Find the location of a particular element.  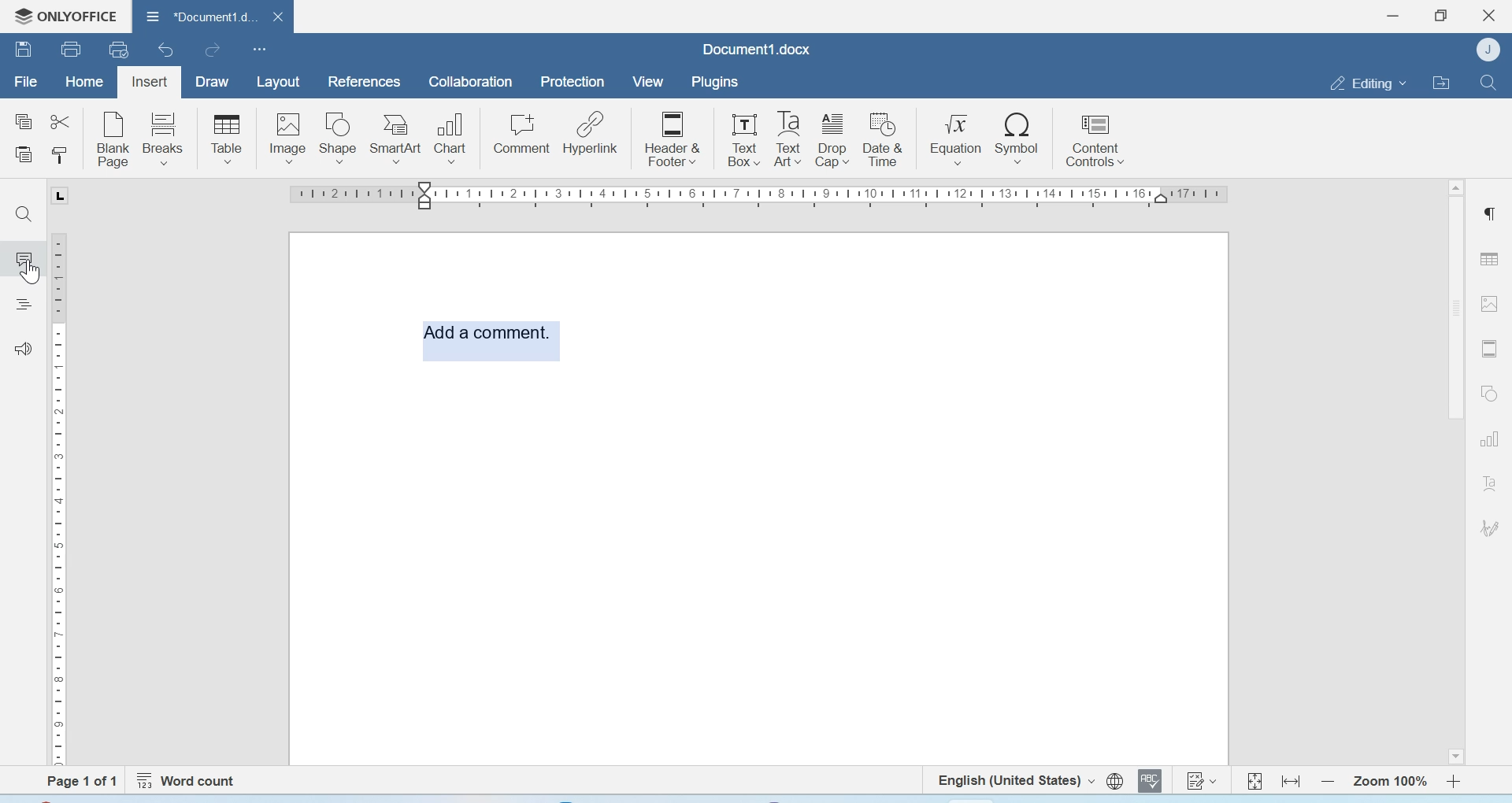

Scale is located at coordinates (764, 196).